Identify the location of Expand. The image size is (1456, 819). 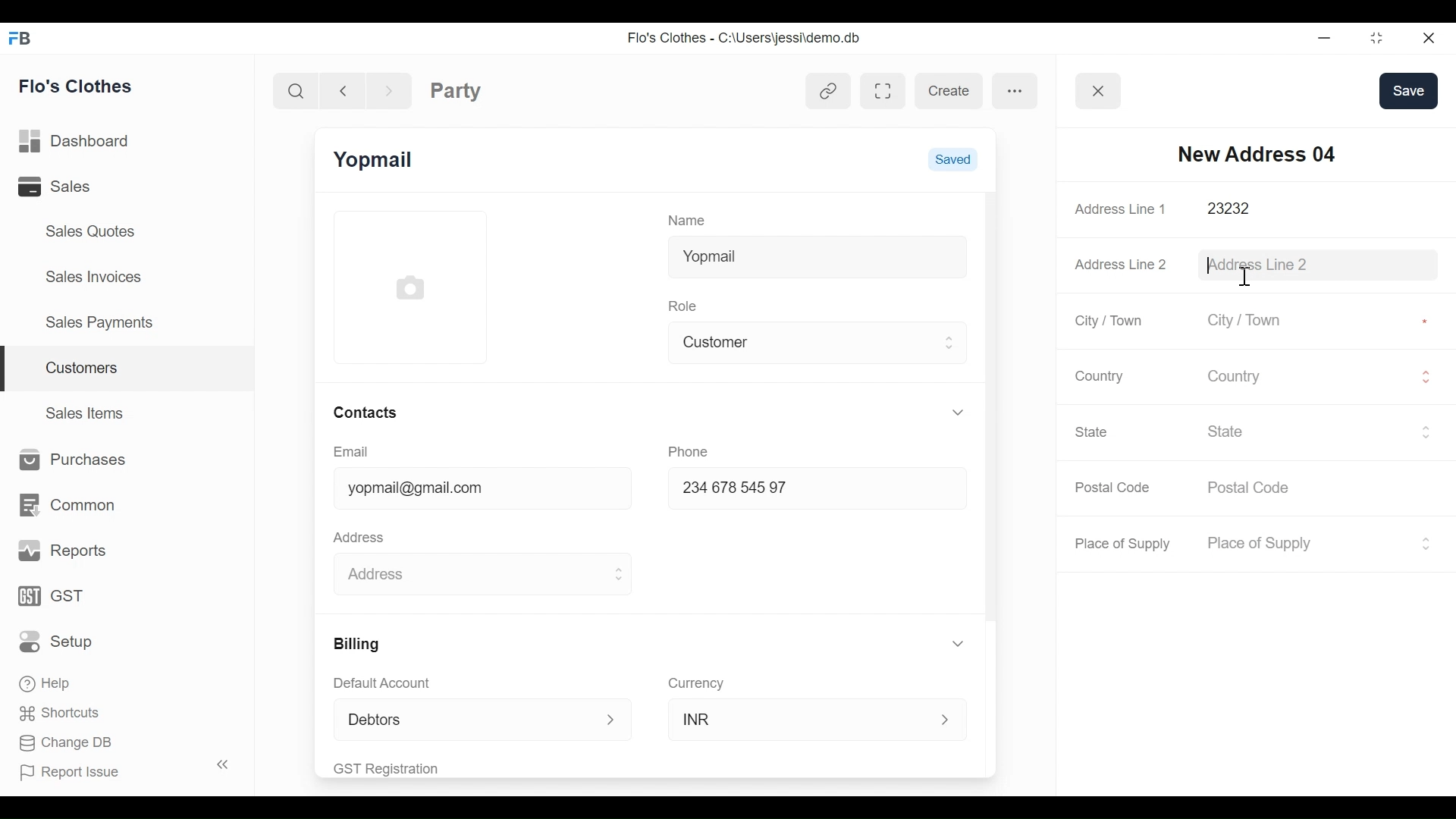
(1425, 543).